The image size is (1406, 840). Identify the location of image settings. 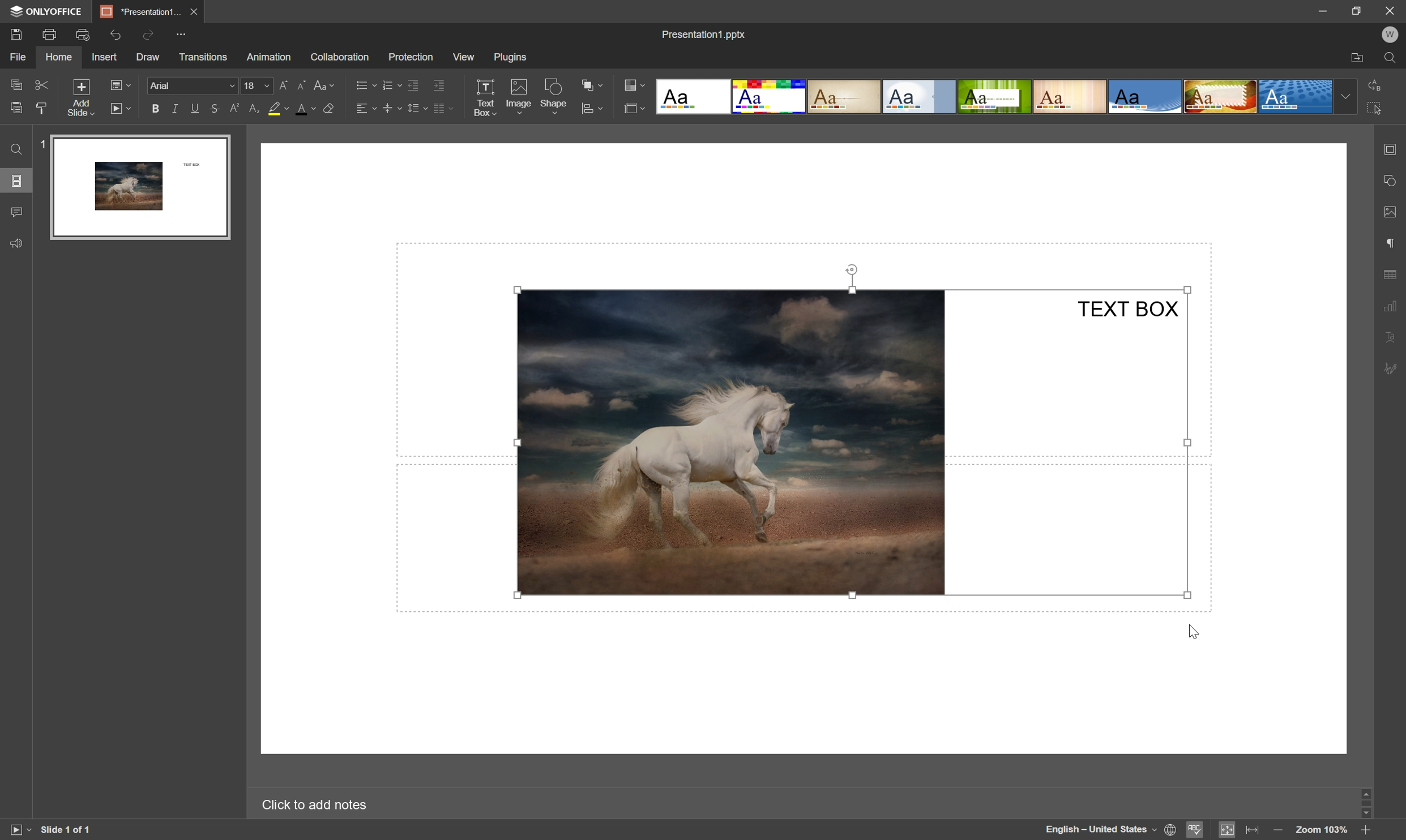
(1391, 213).